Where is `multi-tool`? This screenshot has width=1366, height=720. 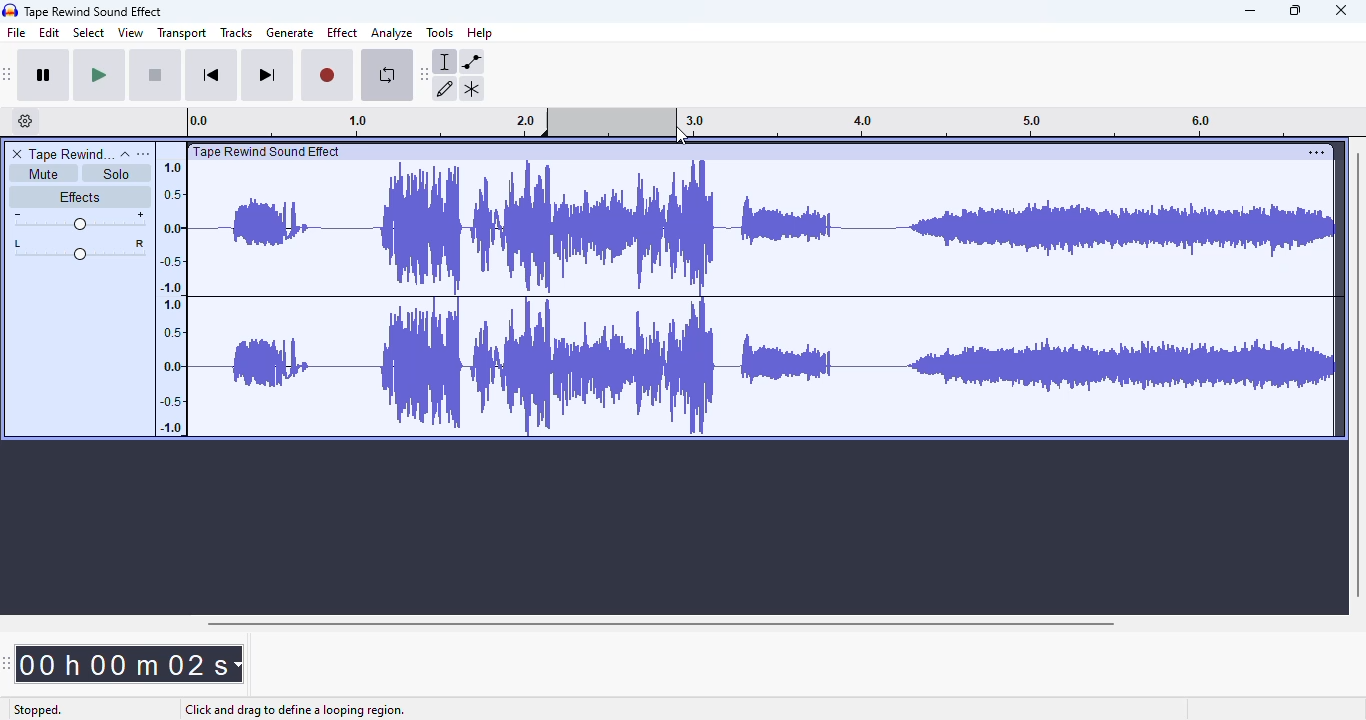 multi-tool is located at coordinates (471, 89).